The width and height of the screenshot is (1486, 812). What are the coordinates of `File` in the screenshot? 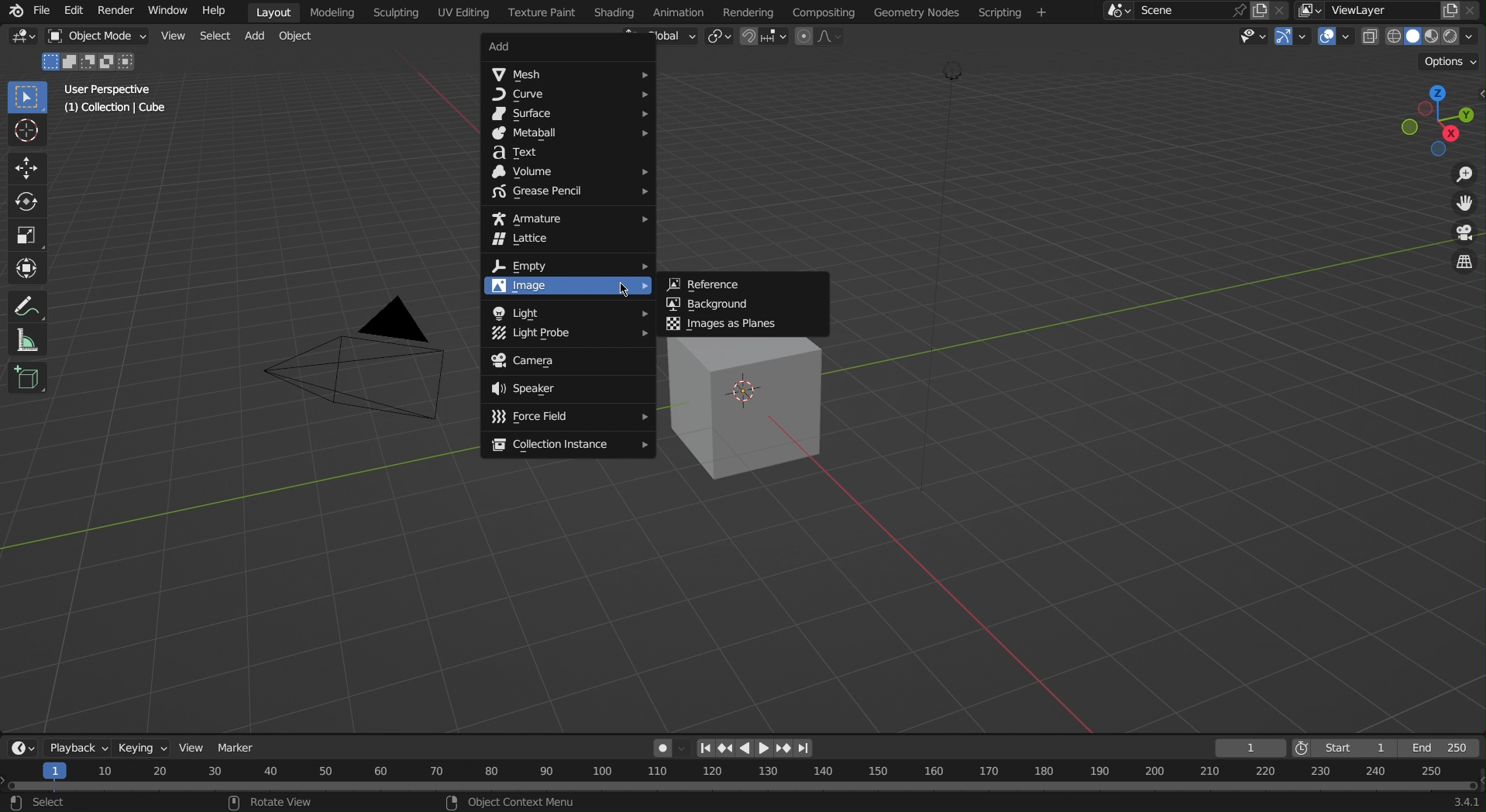 It's located at (41, 11).